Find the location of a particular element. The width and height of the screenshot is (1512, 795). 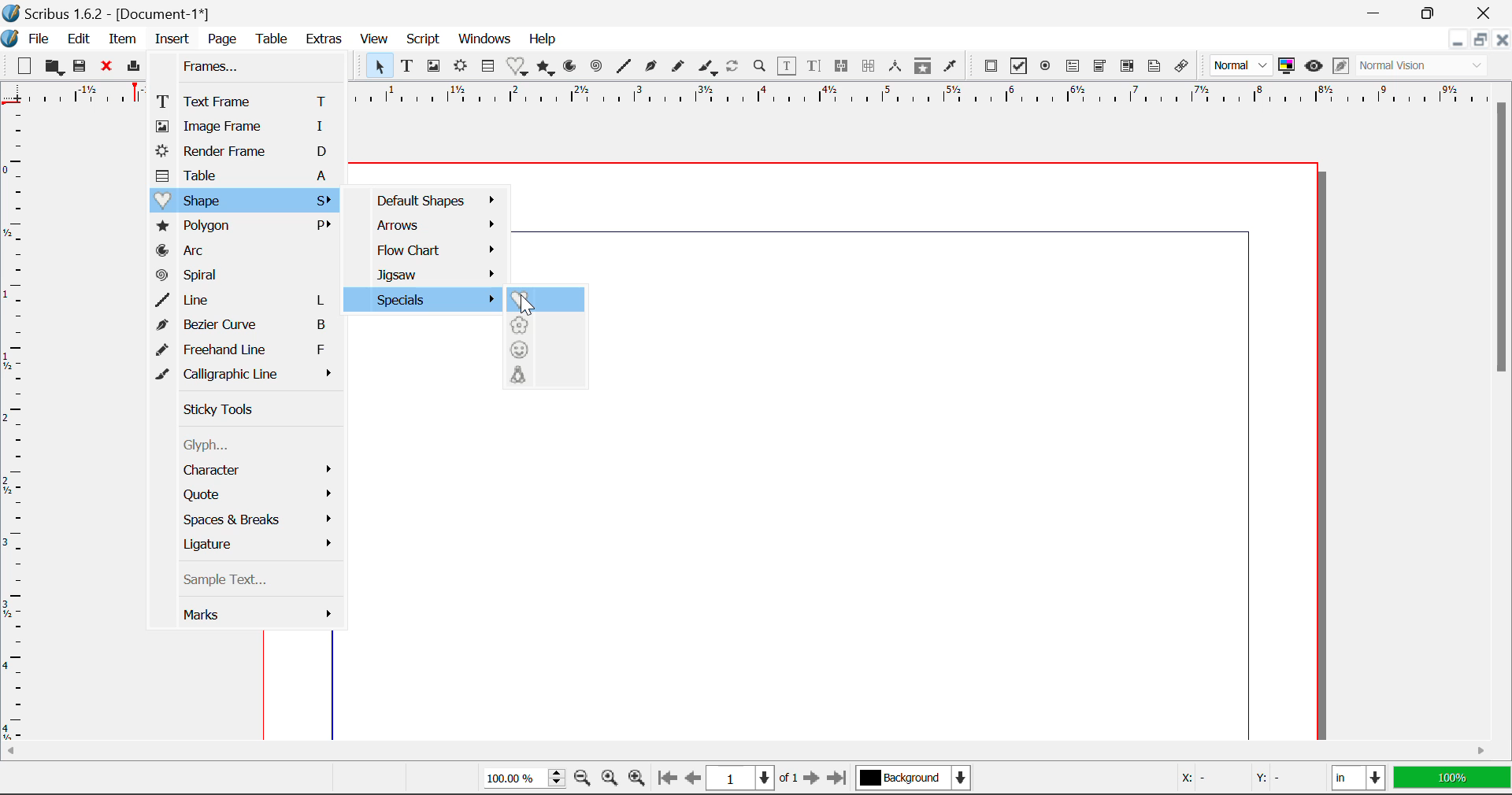

Insert Cells is located at coordinates (487, 68).